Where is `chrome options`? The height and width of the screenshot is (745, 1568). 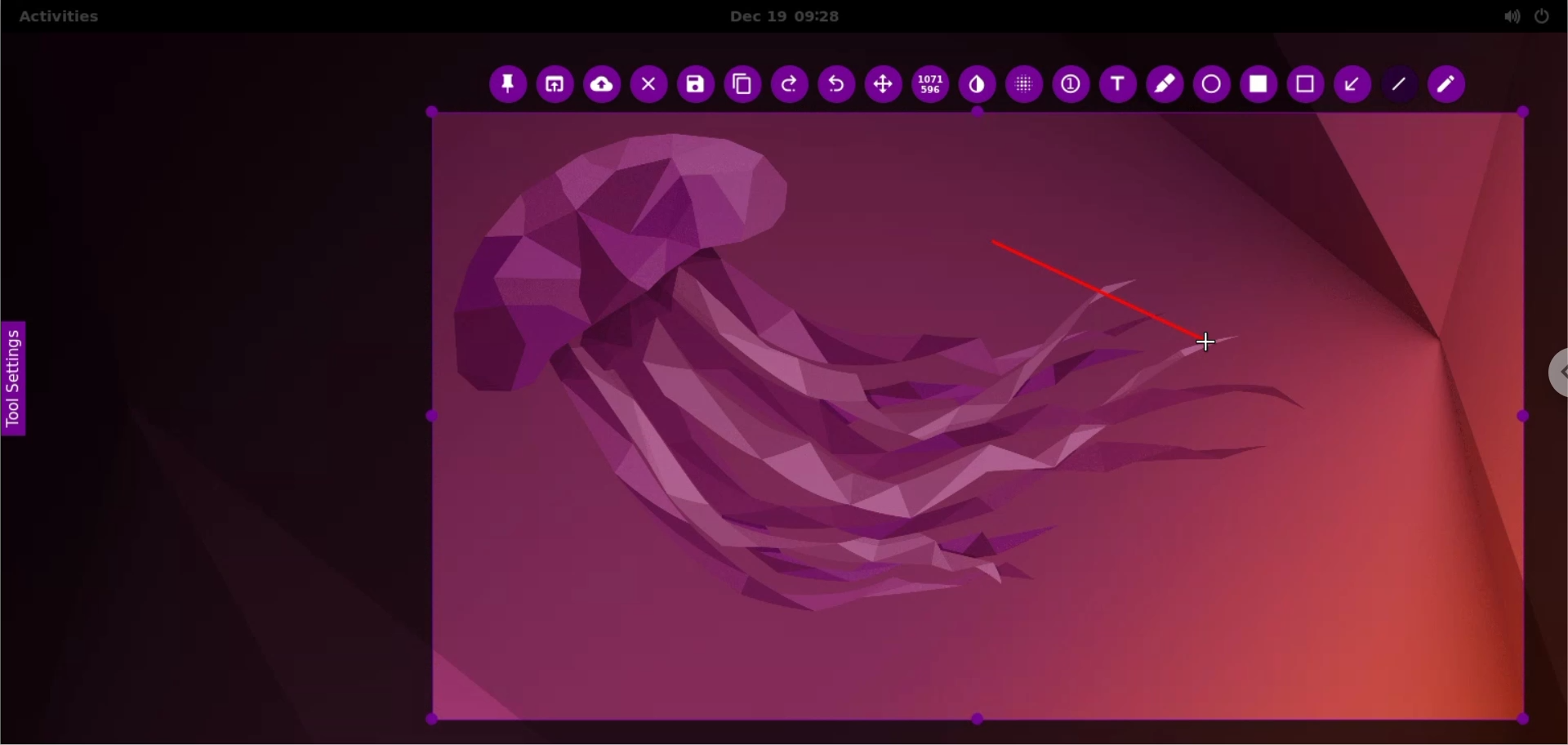 chrome options is located at coordinates (1549, 374).